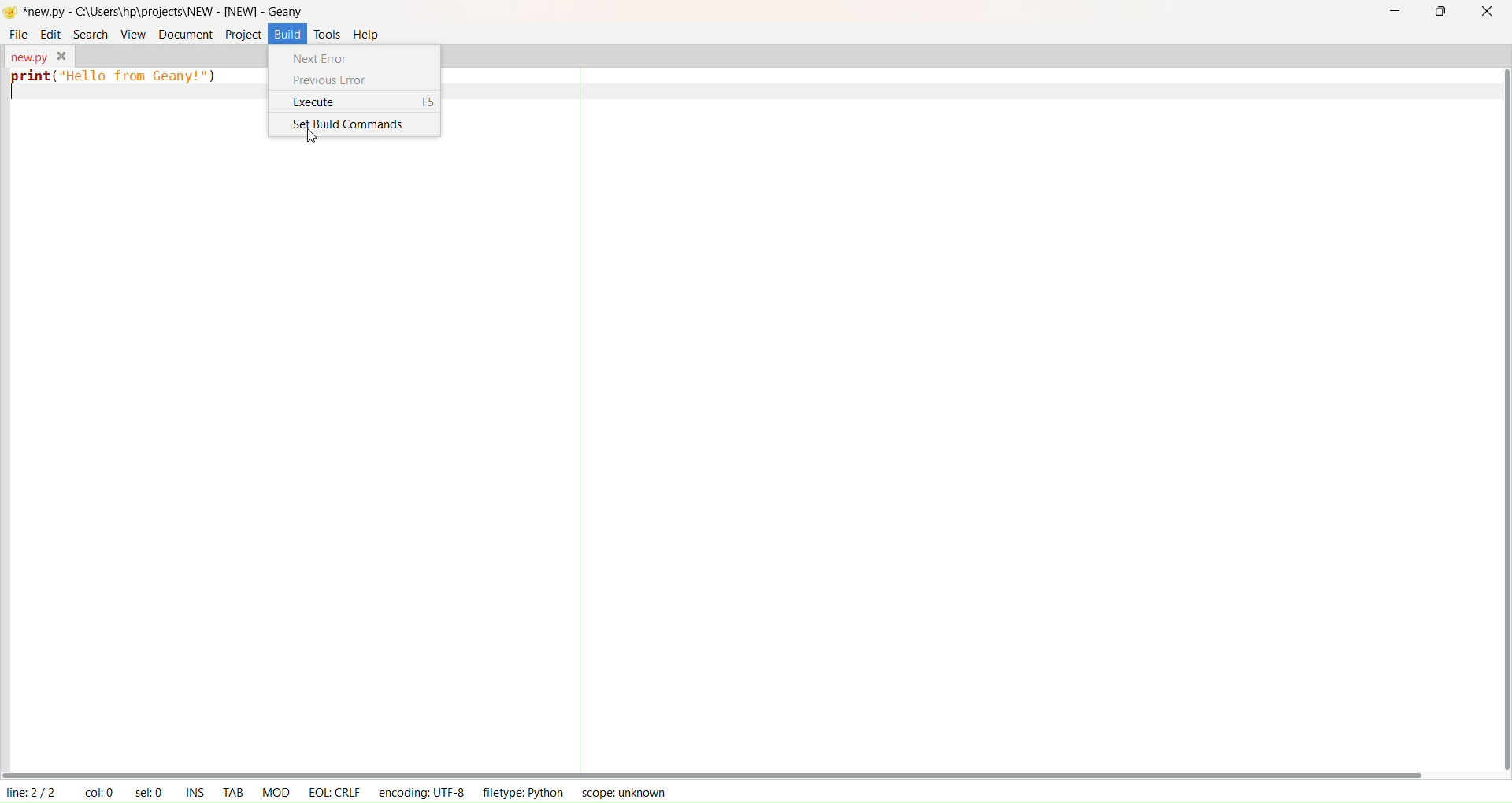  What do you see at coordinates (1394, 10) in the screenshot?
I see `minimize` at bounding box center [1394, 10].